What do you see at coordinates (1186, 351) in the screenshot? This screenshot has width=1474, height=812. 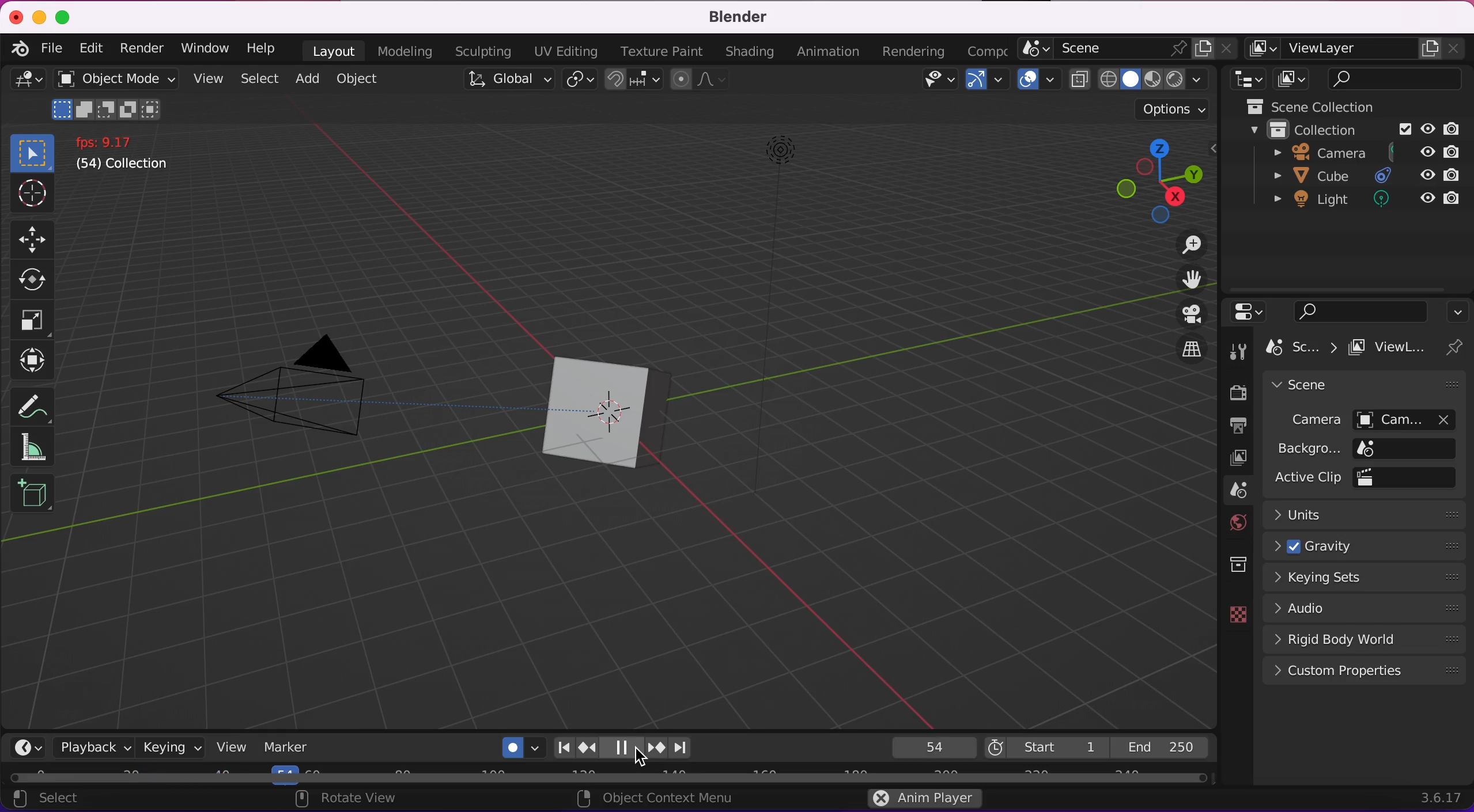 I see `switch the current view from perspective` at bounding box center [1186, 351].